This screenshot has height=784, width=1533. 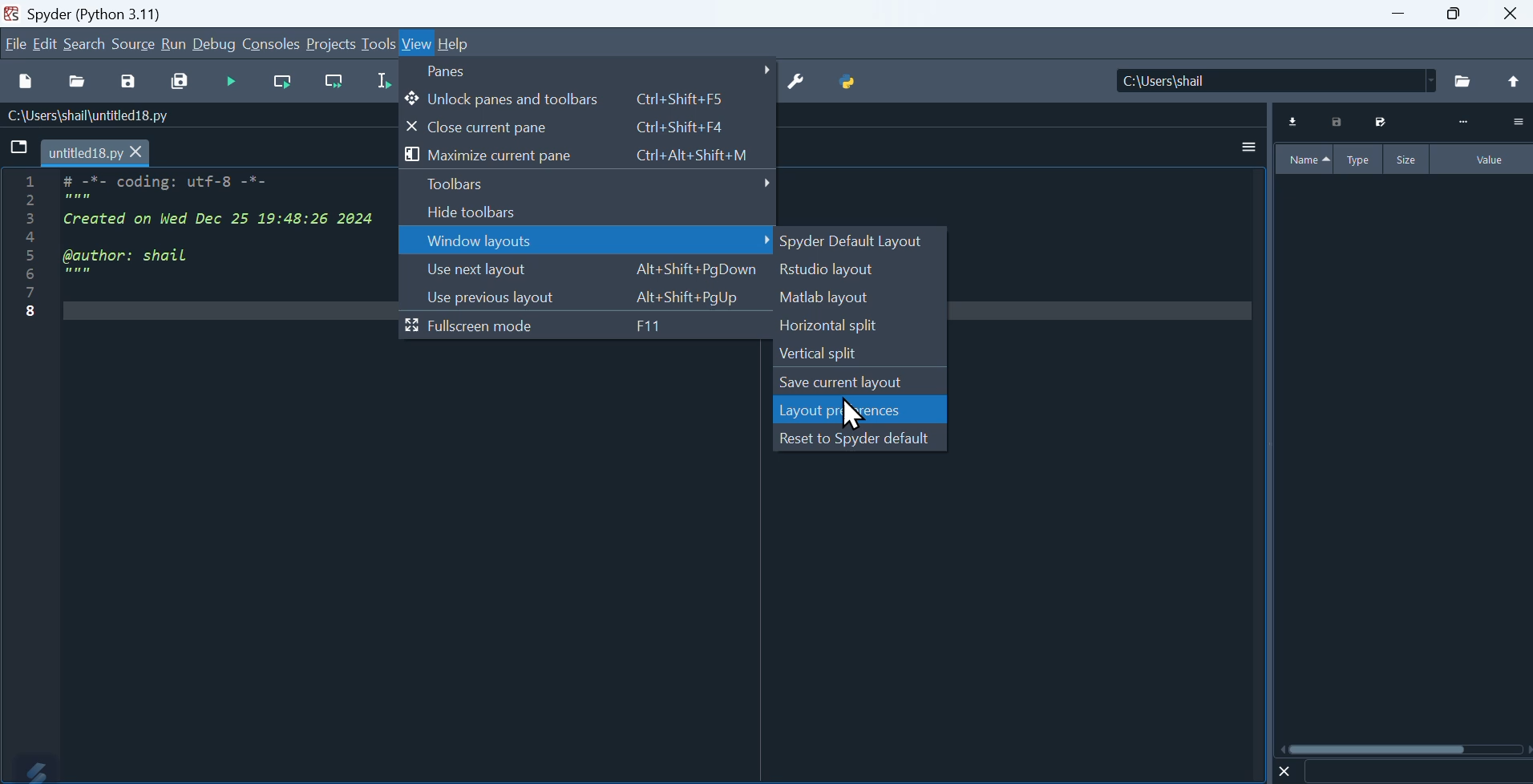 What do you see at coordinates (334, 82) in the screenshot?
I see `Run current salon go to the next one` at bounding box center [334, 82].